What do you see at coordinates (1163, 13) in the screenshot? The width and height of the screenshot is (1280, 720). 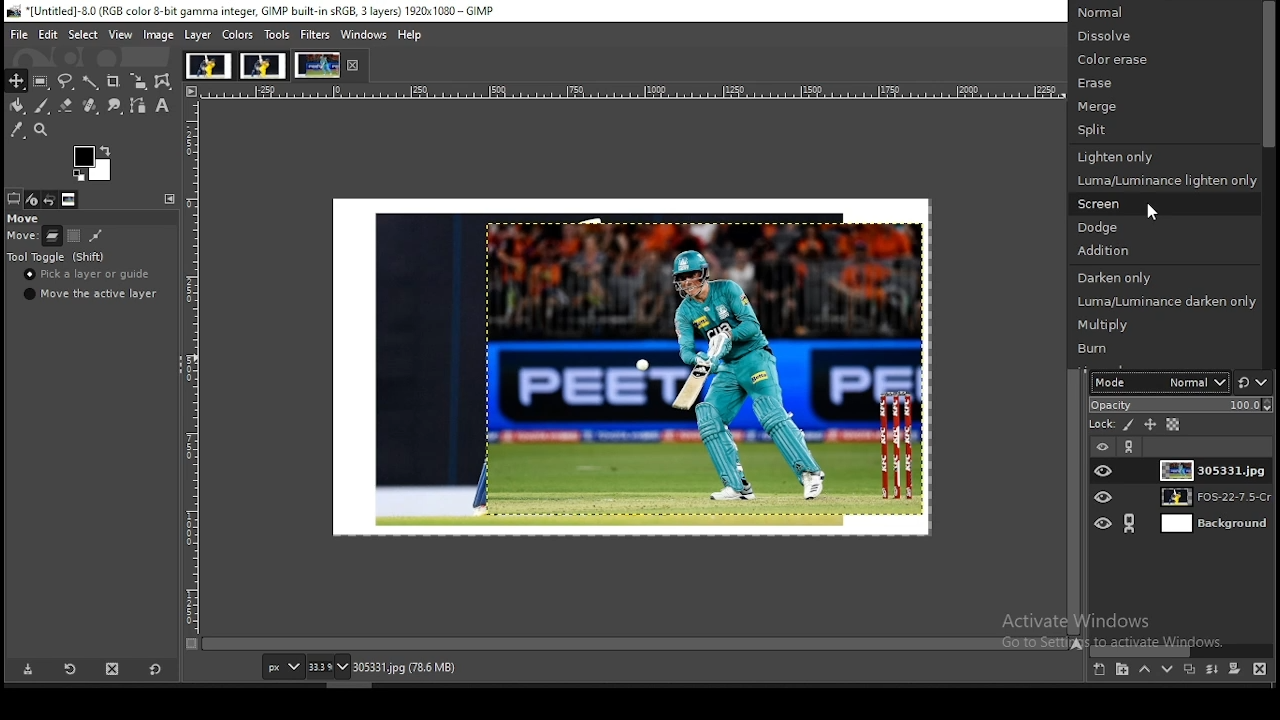 I see `normal` at bounding box center [1163, 13].